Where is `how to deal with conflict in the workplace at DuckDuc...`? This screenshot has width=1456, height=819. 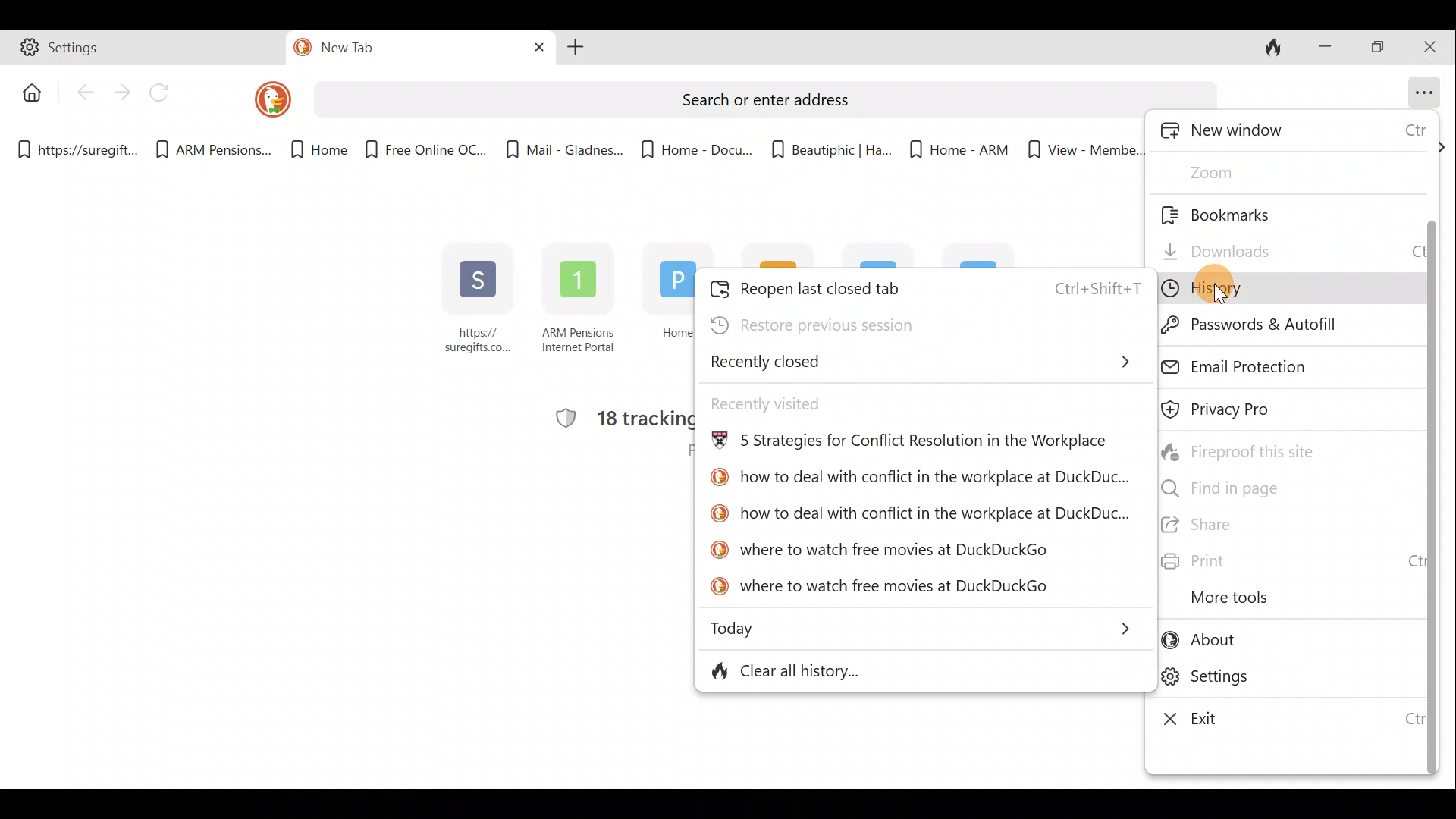 how to deal with conflict in the workplace at DuckDuc... is located at coordinates (918, 480).